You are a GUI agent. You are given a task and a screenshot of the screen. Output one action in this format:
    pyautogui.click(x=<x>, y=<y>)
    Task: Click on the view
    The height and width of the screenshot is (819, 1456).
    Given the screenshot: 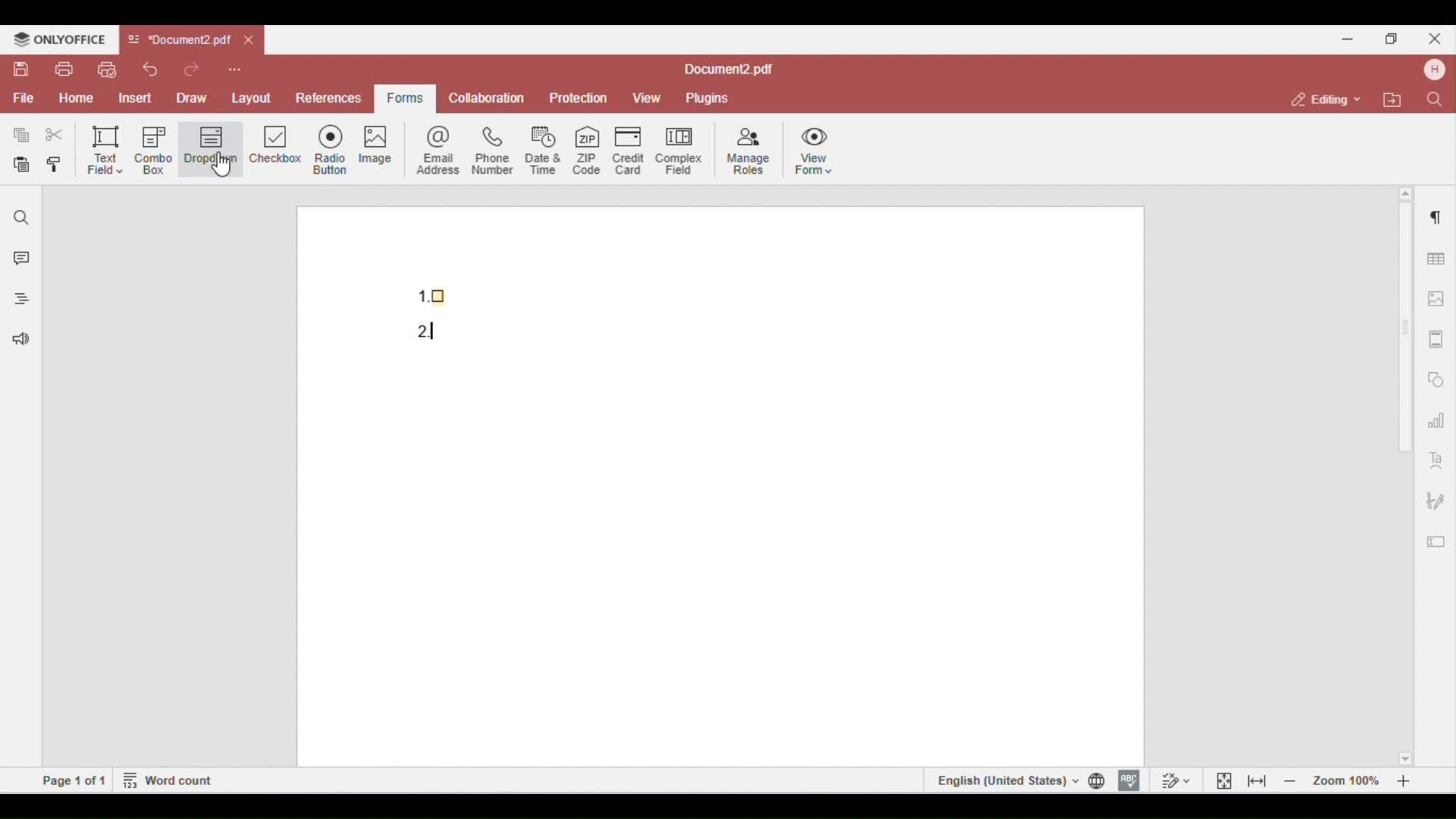 What is the action you would take?
    pyautogui.click(x=647, y=99)
    